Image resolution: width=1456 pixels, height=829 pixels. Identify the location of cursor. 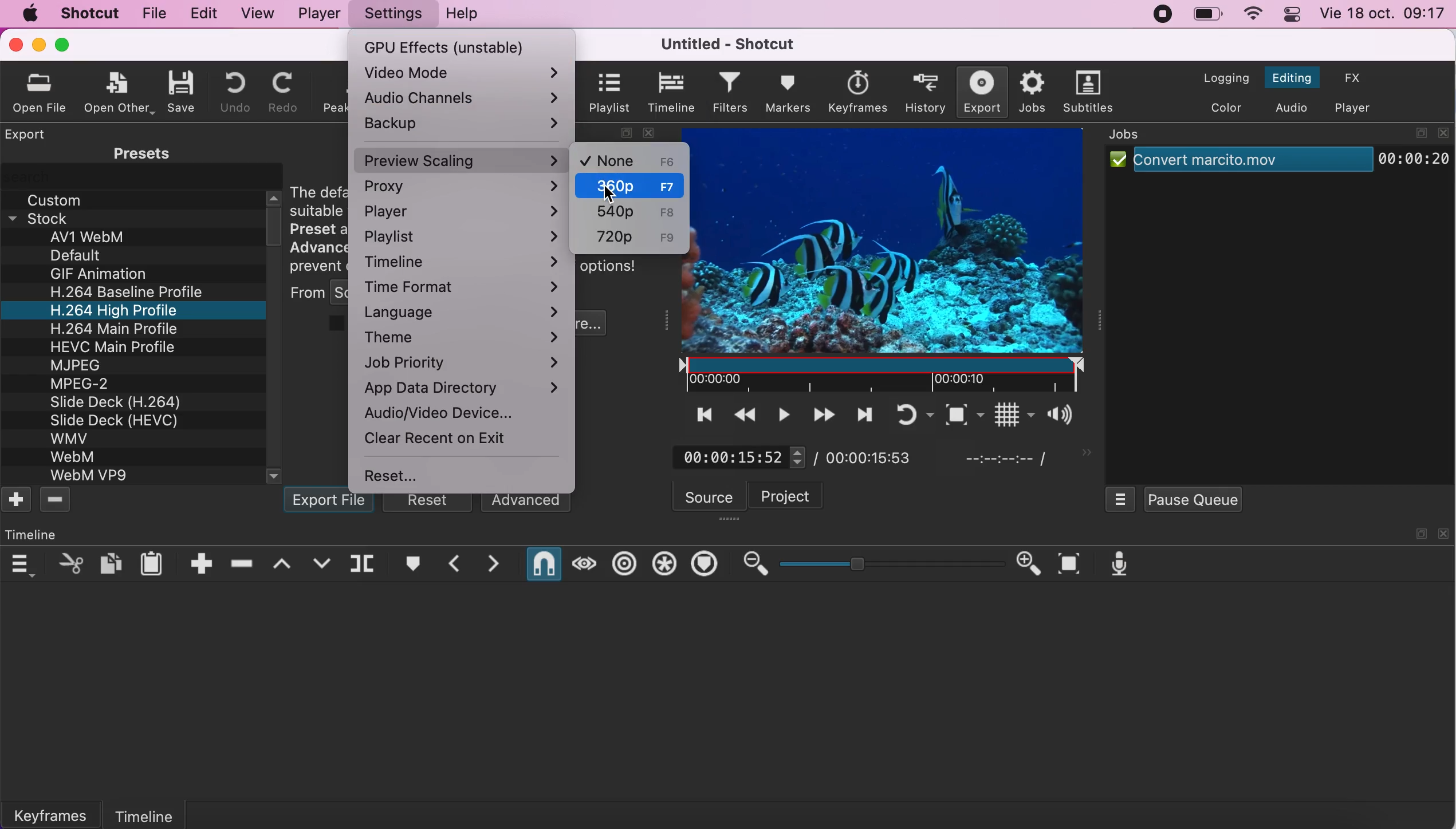
(626, 200).